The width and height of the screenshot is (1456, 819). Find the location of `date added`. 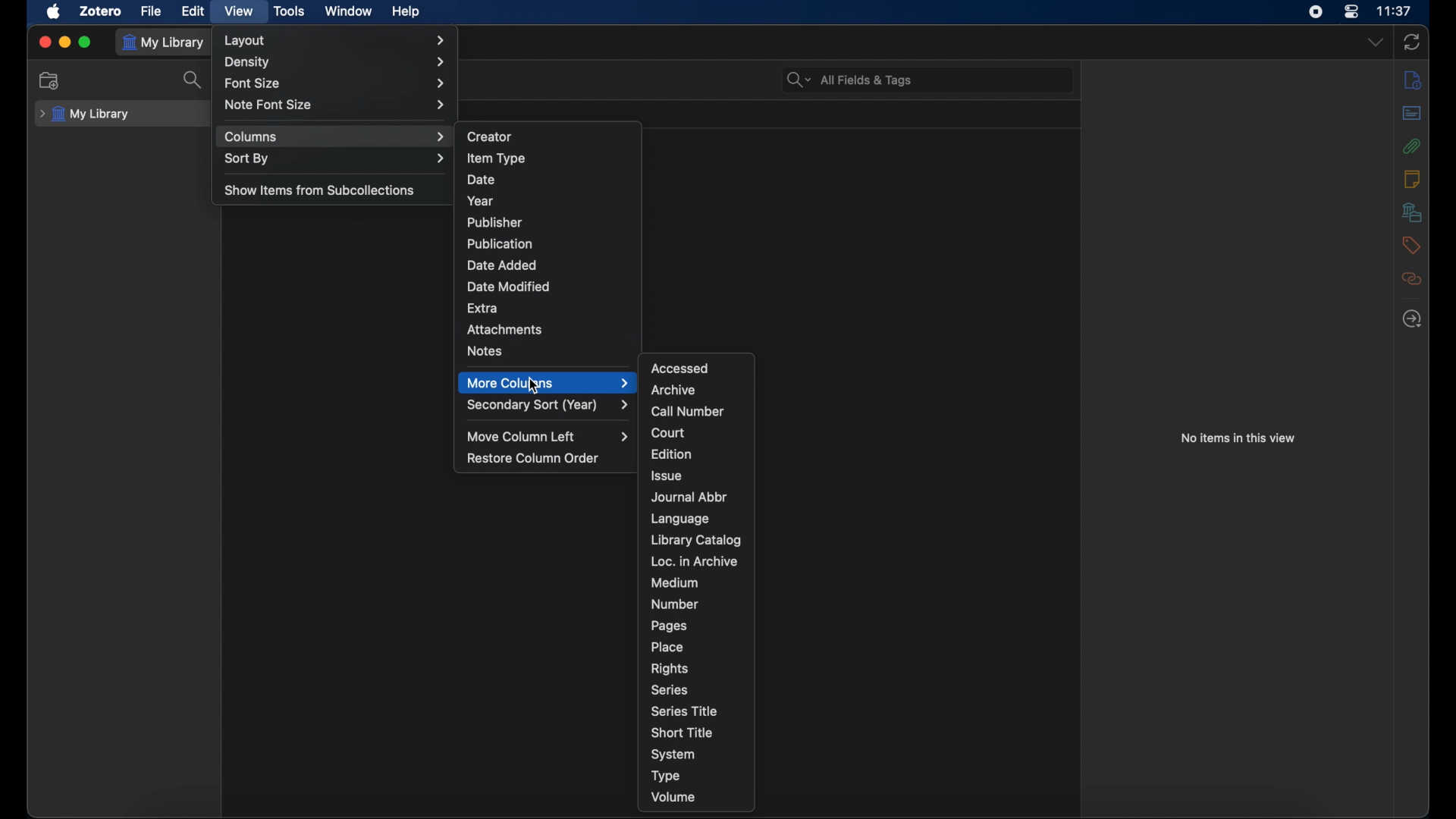

date added is located at coordinates (502, 265).